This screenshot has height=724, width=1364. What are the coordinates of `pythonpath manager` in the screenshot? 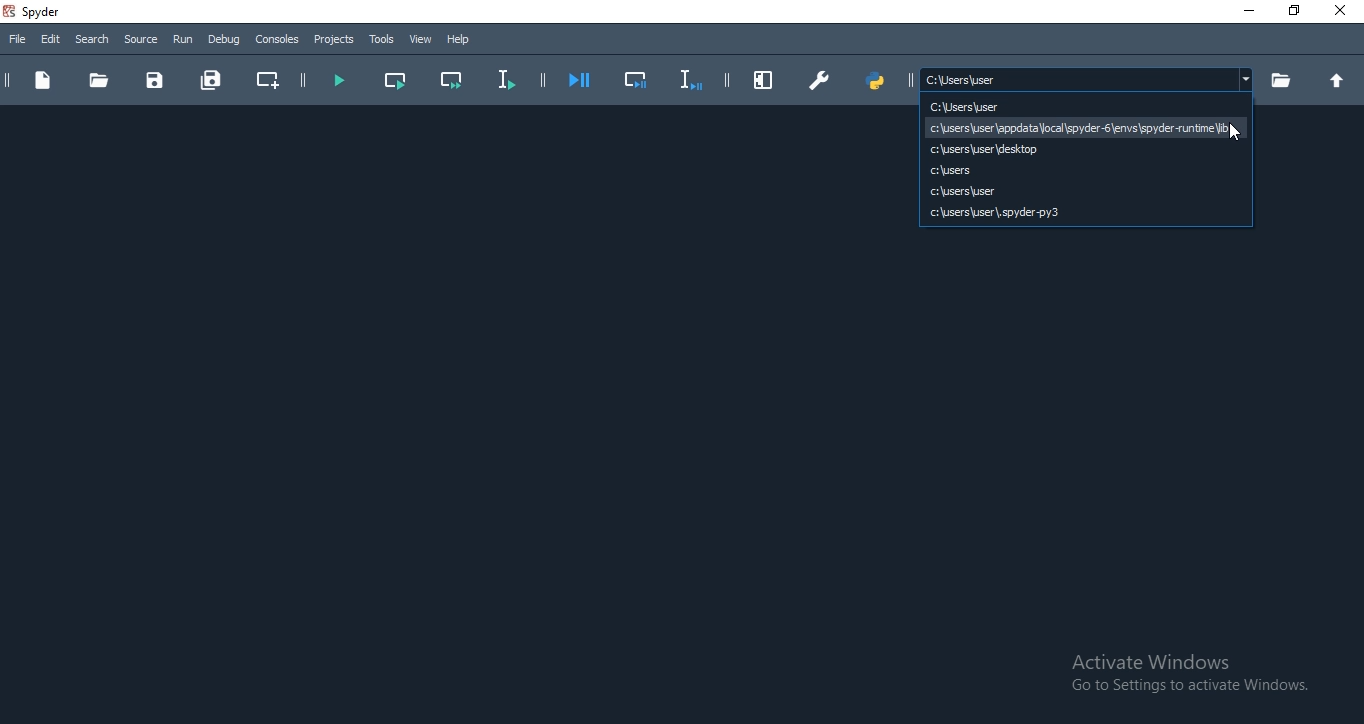 It's located at (878, 79).